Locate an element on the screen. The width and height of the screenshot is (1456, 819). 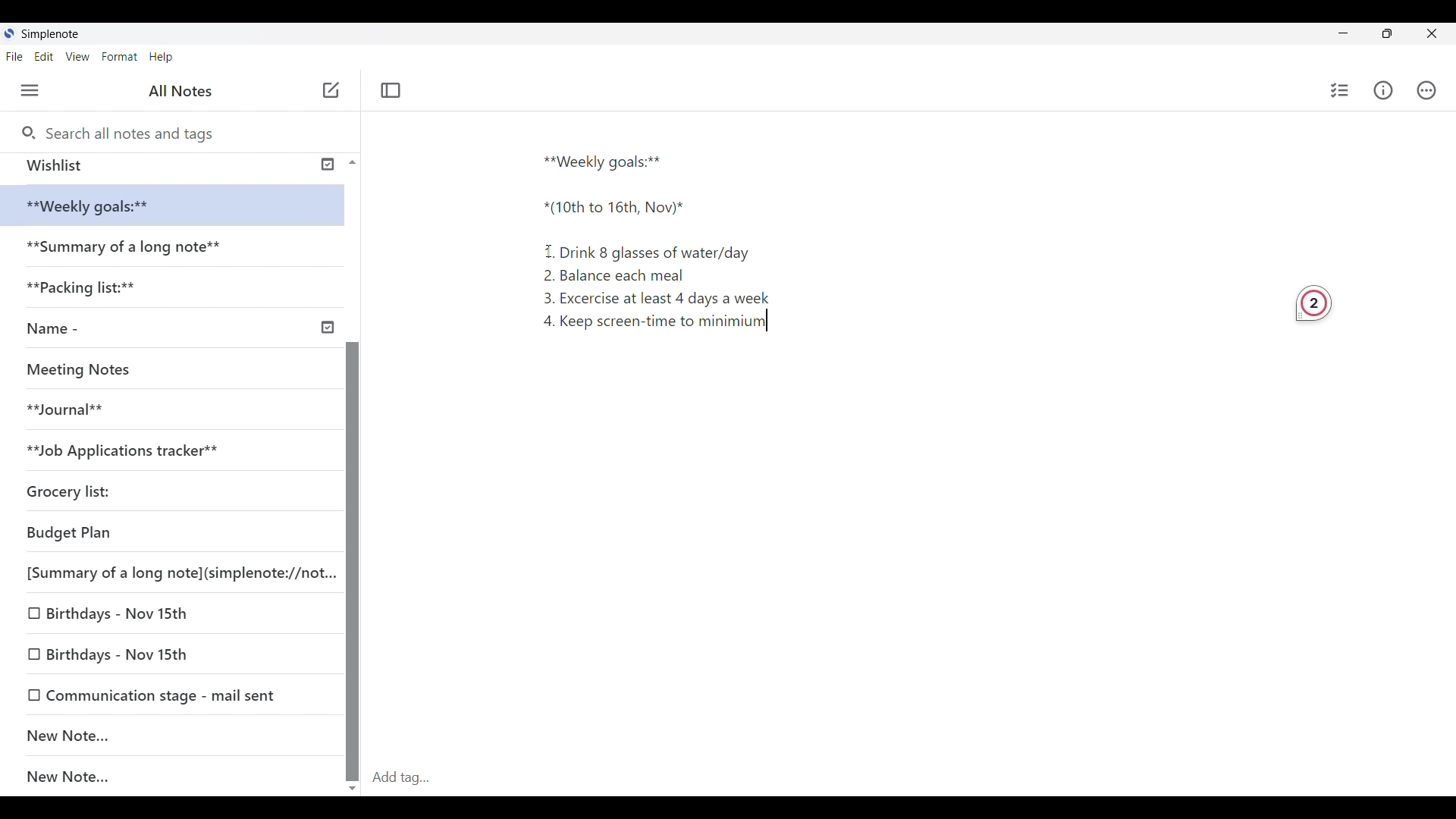
Edit is located at coordinates (49, 58).